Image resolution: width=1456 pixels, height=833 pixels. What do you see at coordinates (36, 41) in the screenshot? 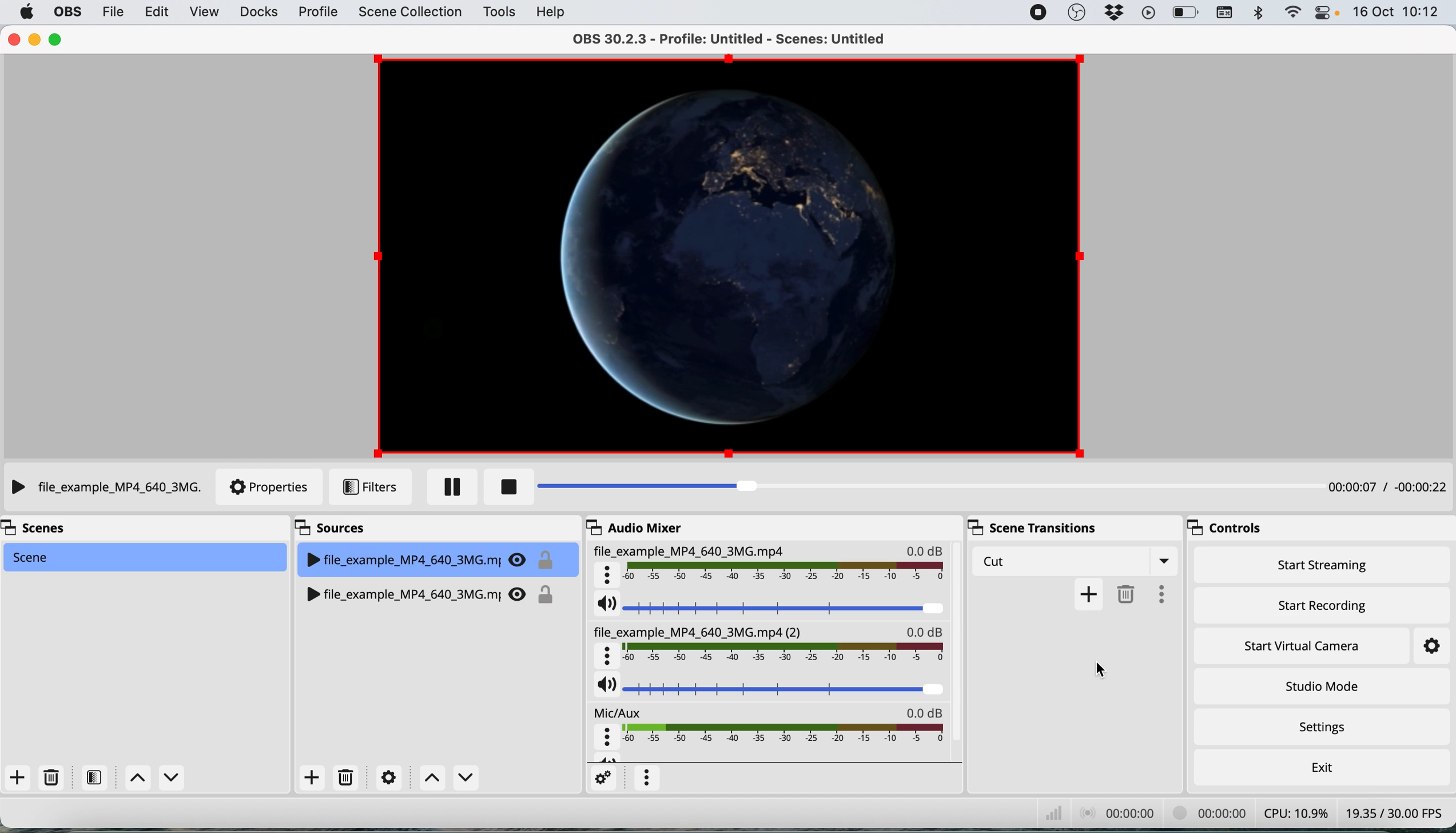
I see `minimise` at bounding box center [36, 41].